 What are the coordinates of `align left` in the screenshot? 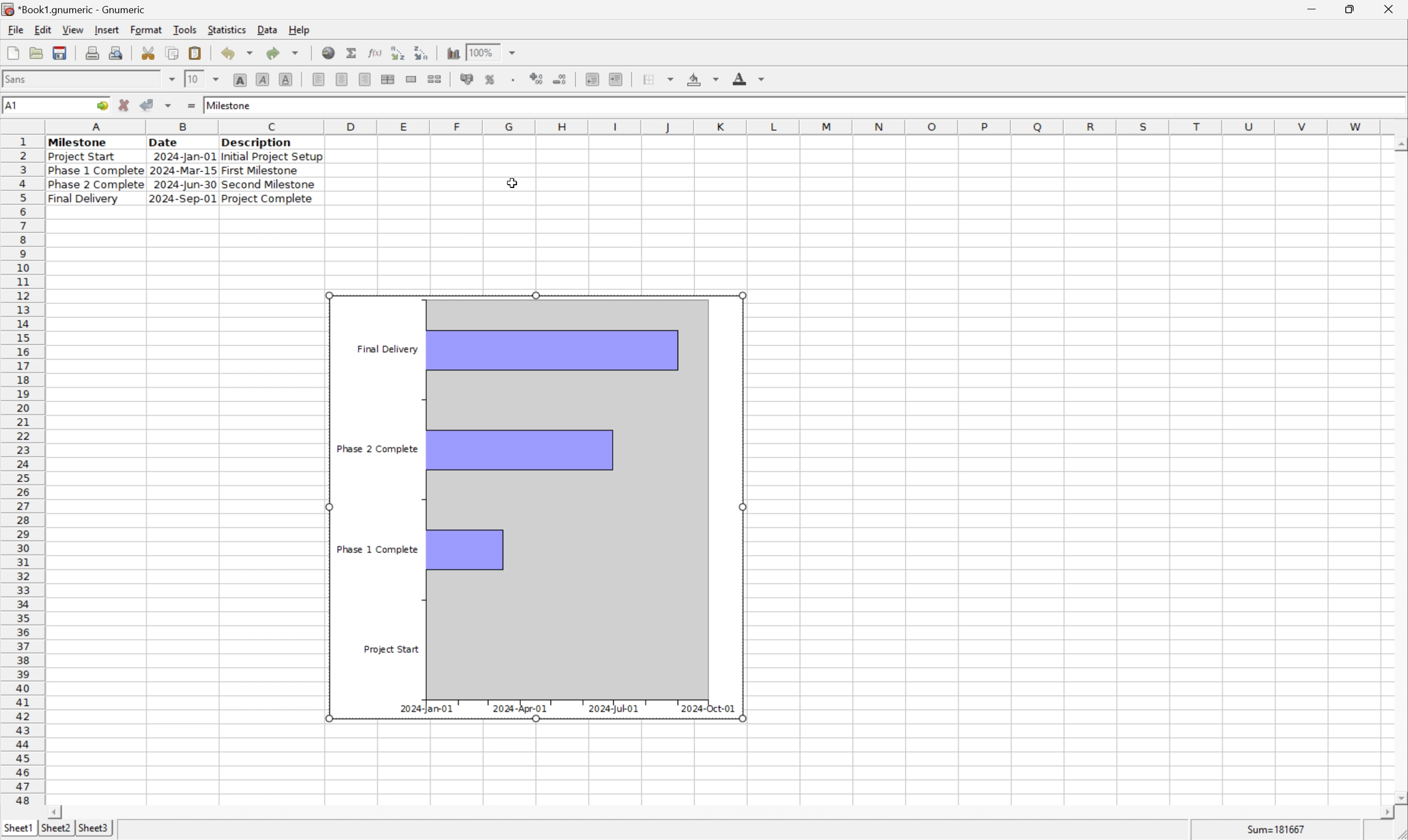 It's located at (319, 80).